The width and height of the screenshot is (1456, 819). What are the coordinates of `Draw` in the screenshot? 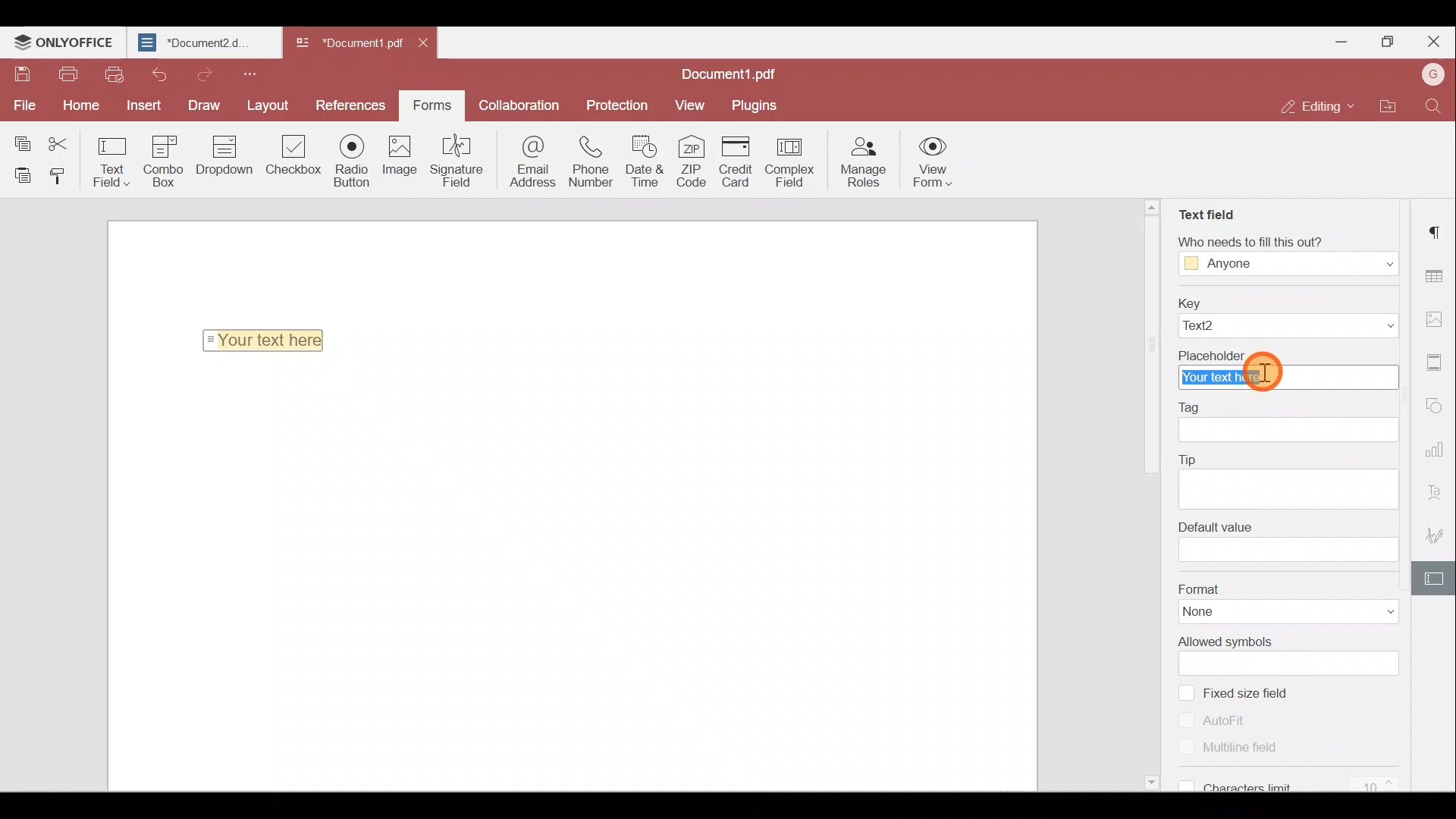 It's located at (199, 105).